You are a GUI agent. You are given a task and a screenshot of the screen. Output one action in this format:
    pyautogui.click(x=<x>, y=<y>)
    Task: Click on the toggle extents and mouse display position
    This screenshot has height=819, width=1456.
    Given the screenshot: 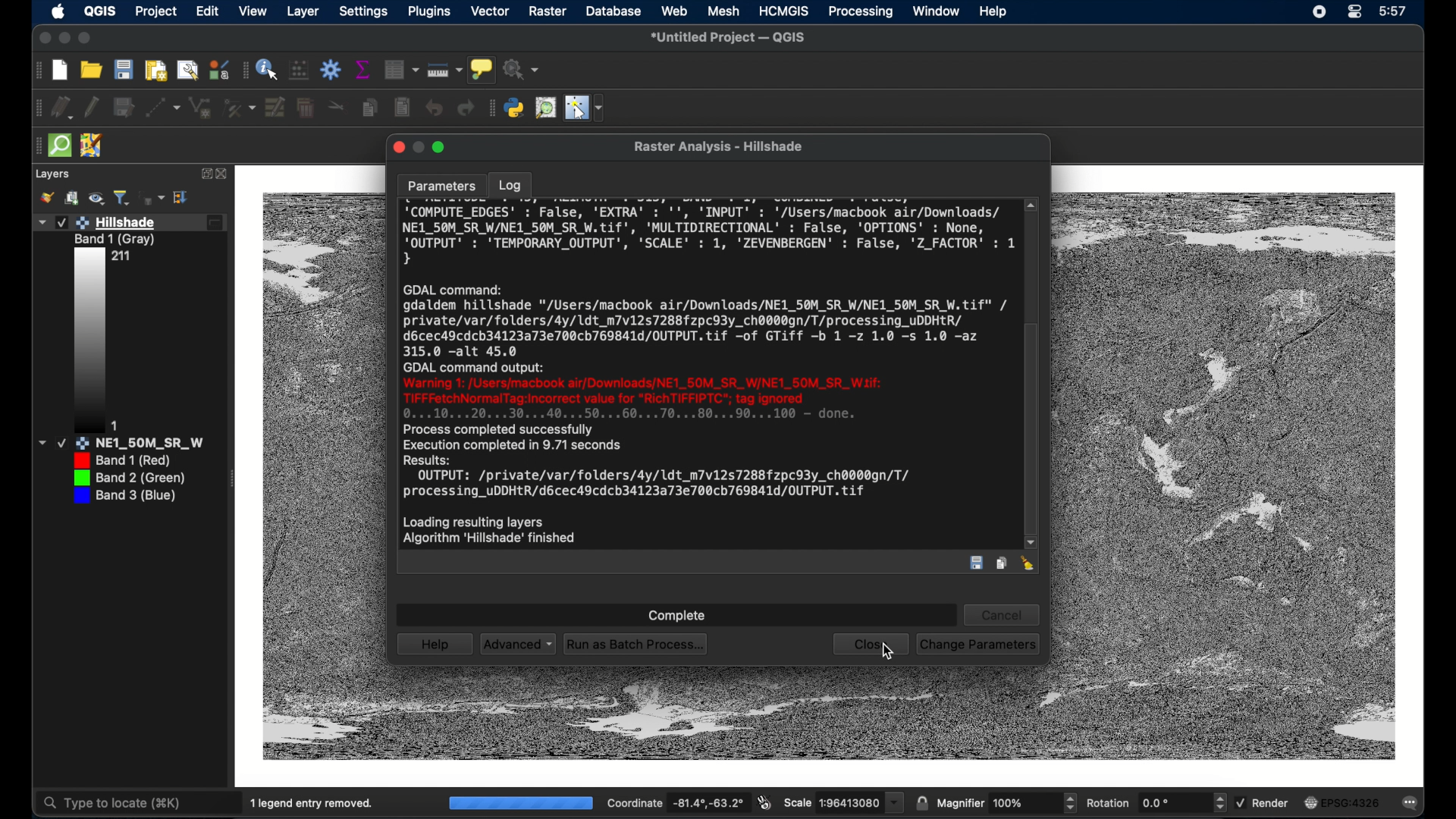 What is the action you would take?
    pyautogui.click(x=765, y=802)
    